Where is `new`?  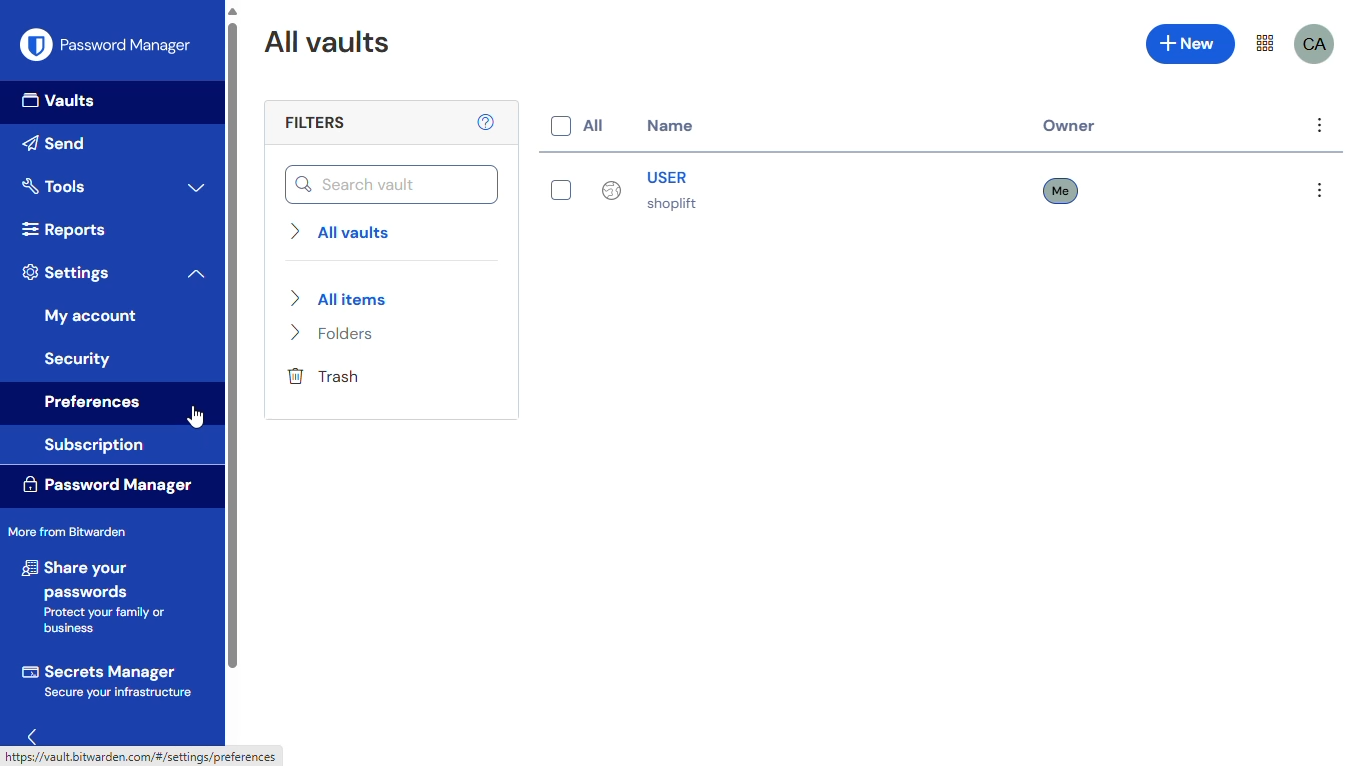
new is located at coordinates (1191, 44).